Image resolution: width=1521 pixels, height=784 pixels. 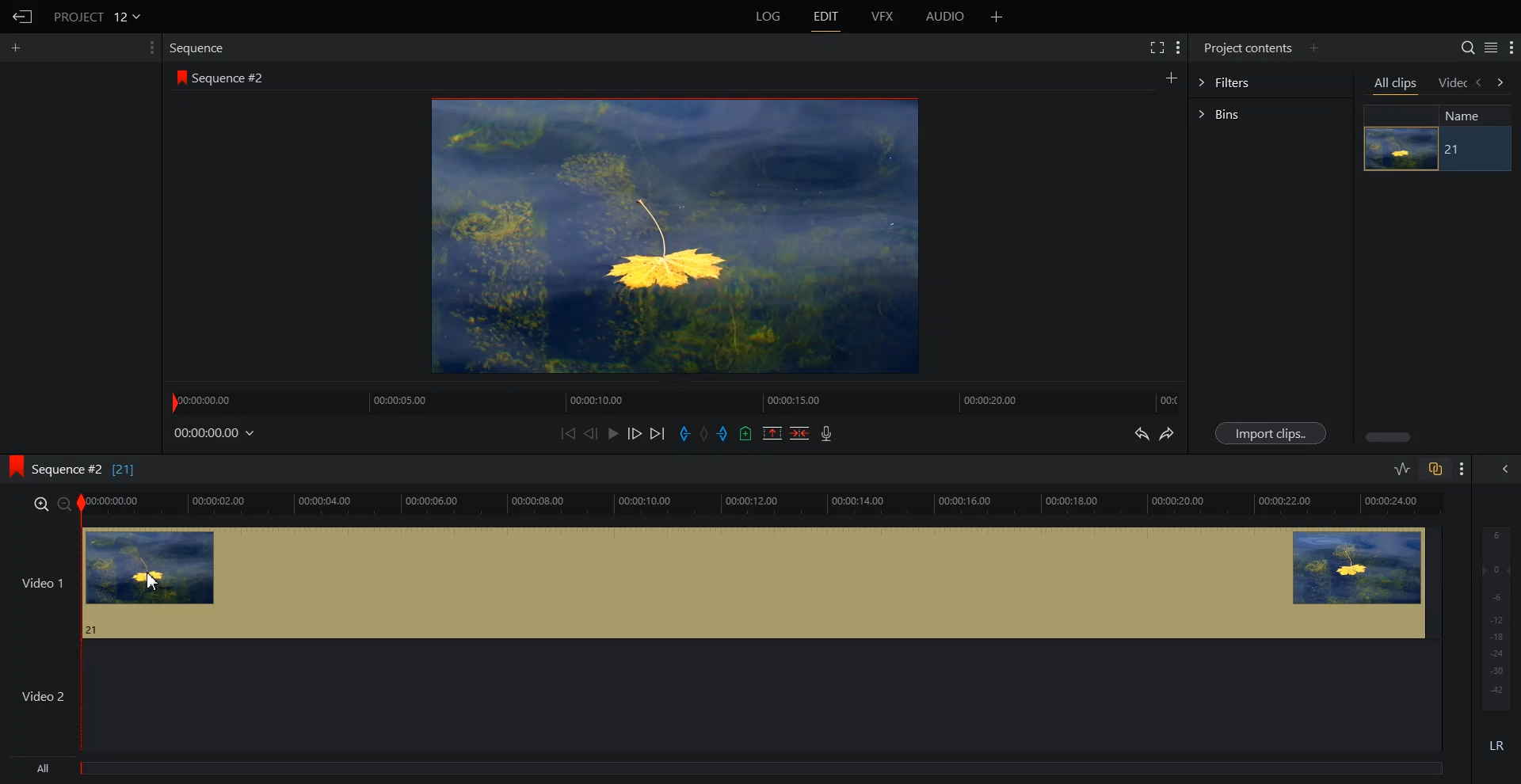 I want to click on Toggle between list and tile view, so click(x=1490, y=47).